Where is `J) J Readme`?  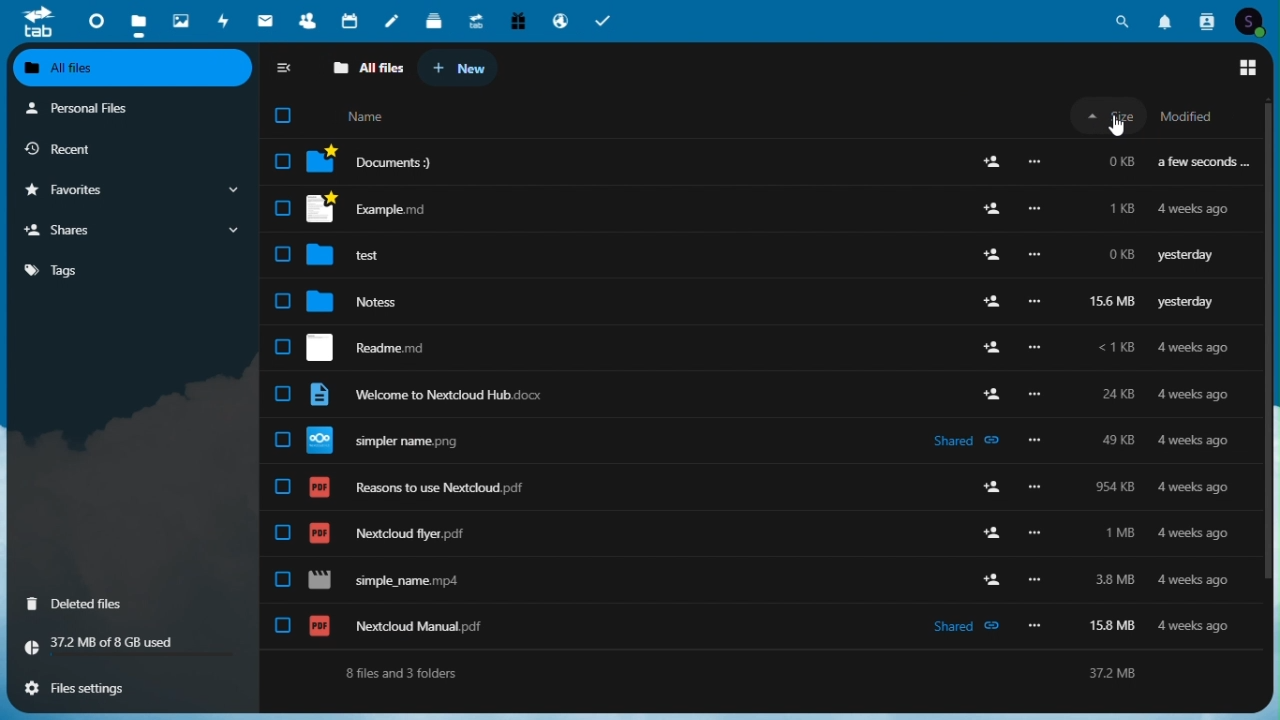 J) J Readme is located at coordinates (758, 488).